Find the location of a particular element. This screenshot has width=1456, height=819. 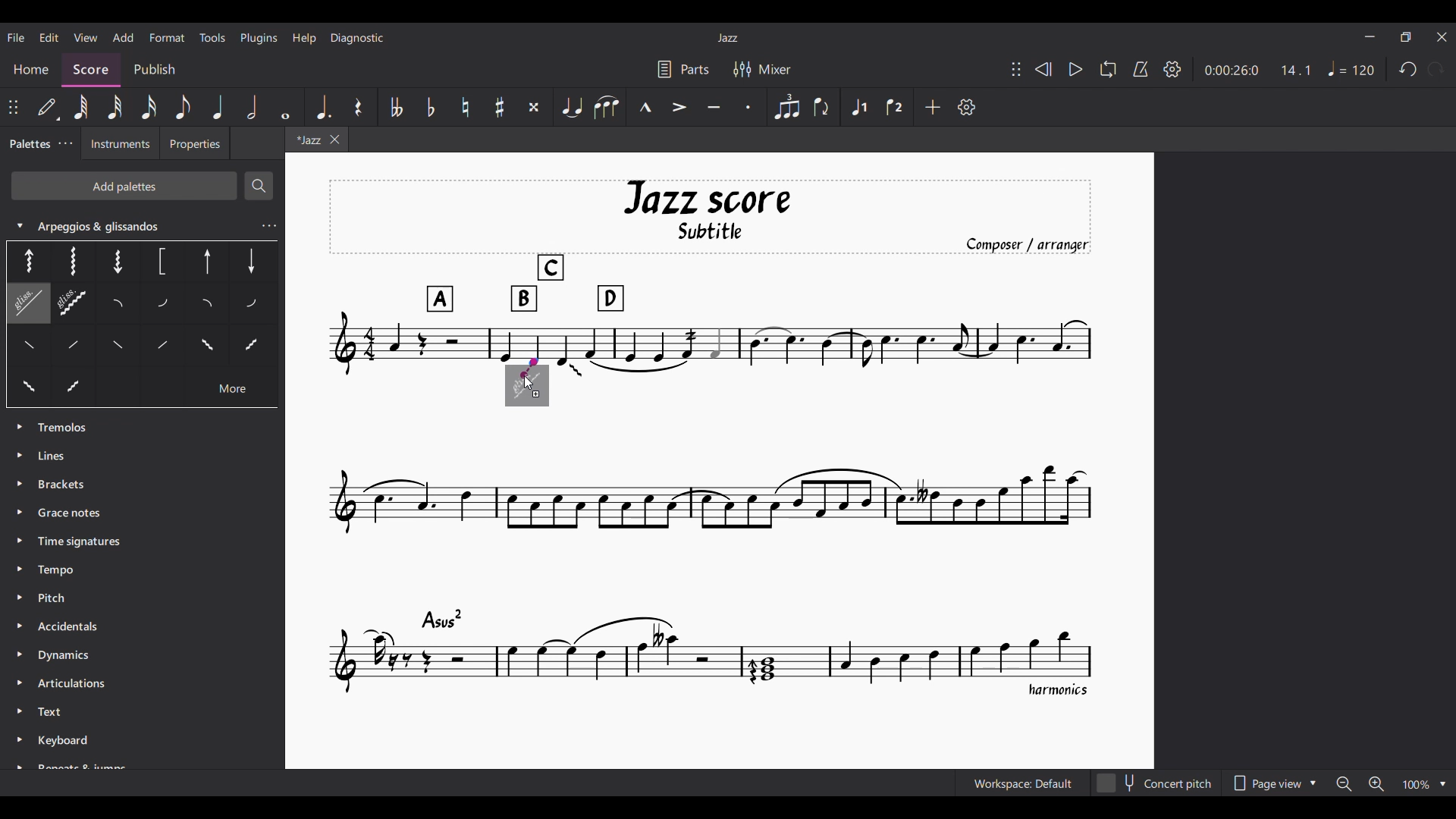

Palate 9 is located at coordinates (123, 305).